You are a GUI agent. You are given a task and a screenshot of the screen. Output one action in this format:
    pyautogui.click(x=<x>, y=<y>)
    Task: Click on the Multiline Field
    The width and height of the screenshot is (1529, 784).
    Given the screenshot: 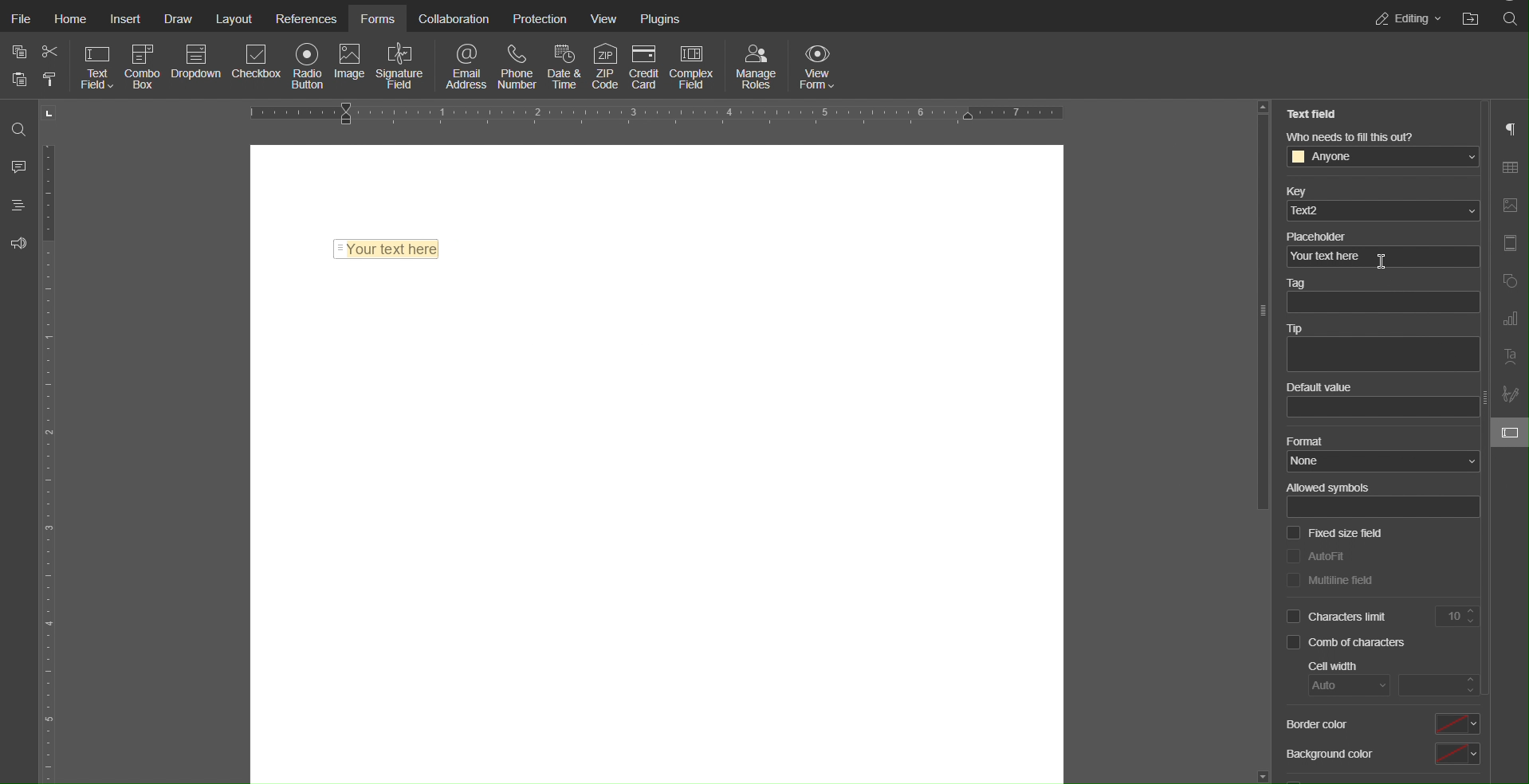 What is the action you would take?
    pyautogui.click(x=1331, y=579)
    